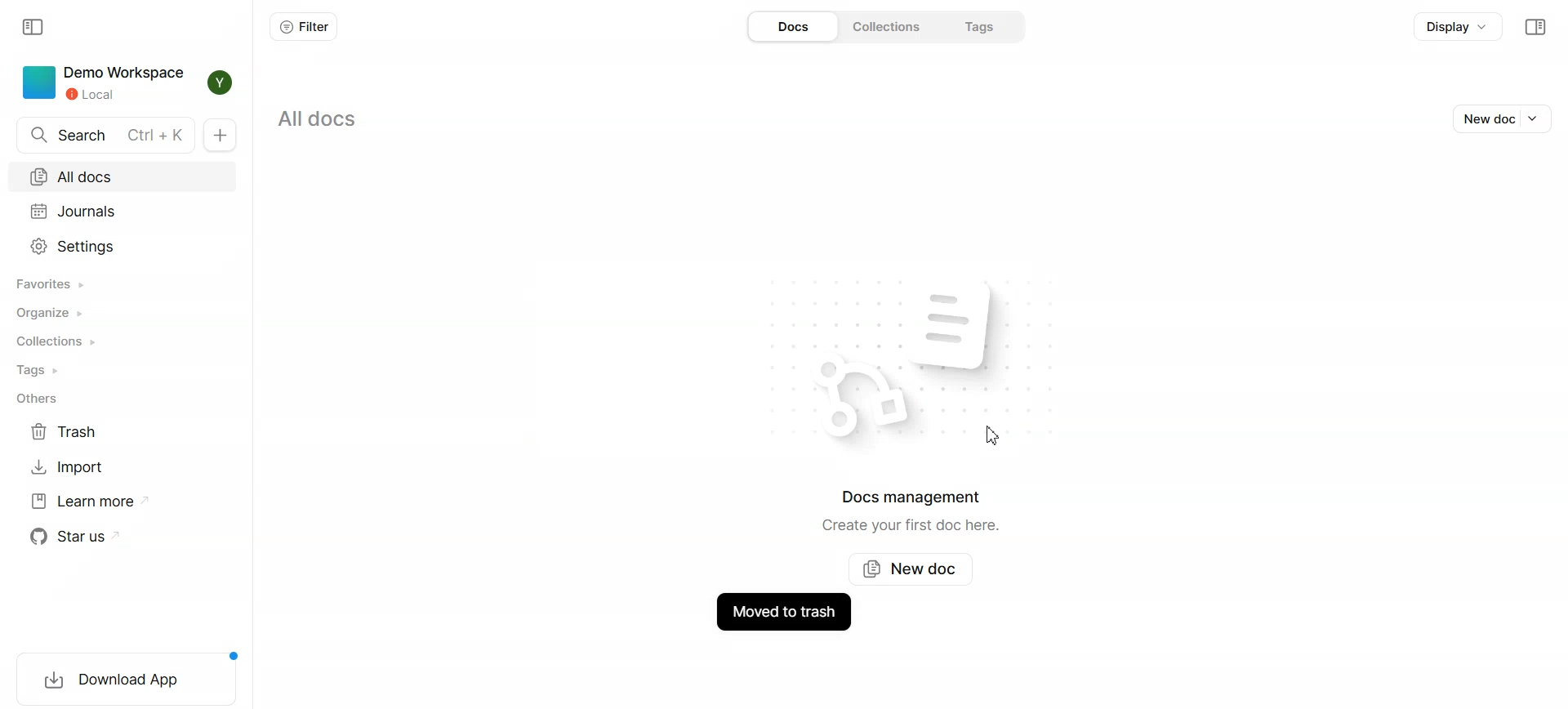 The height and width of the screenshot is (709, 1568). I want to click on Favorites, so click(122, 283).